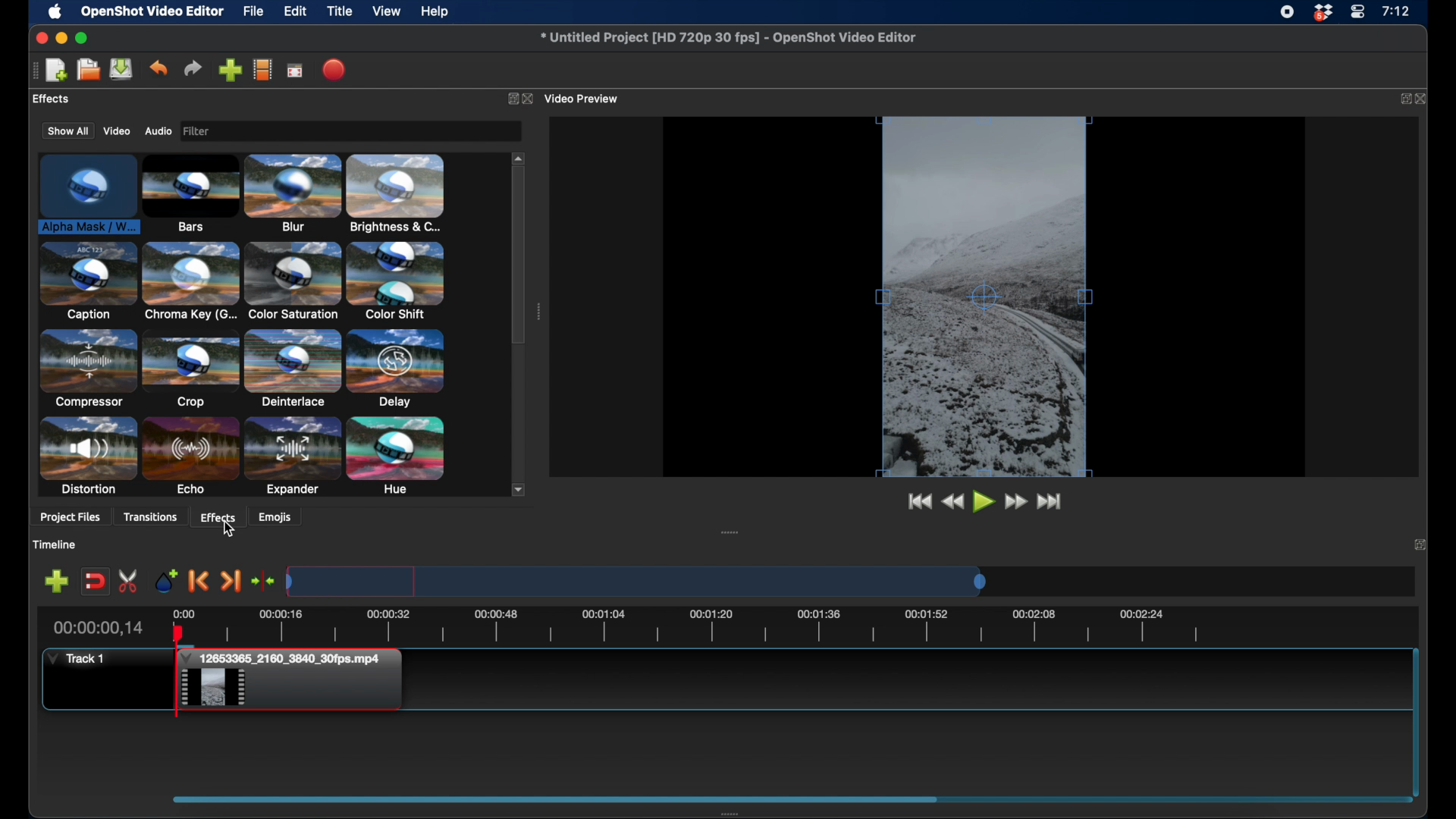  I want to click on drag handle, so click(733, 813).